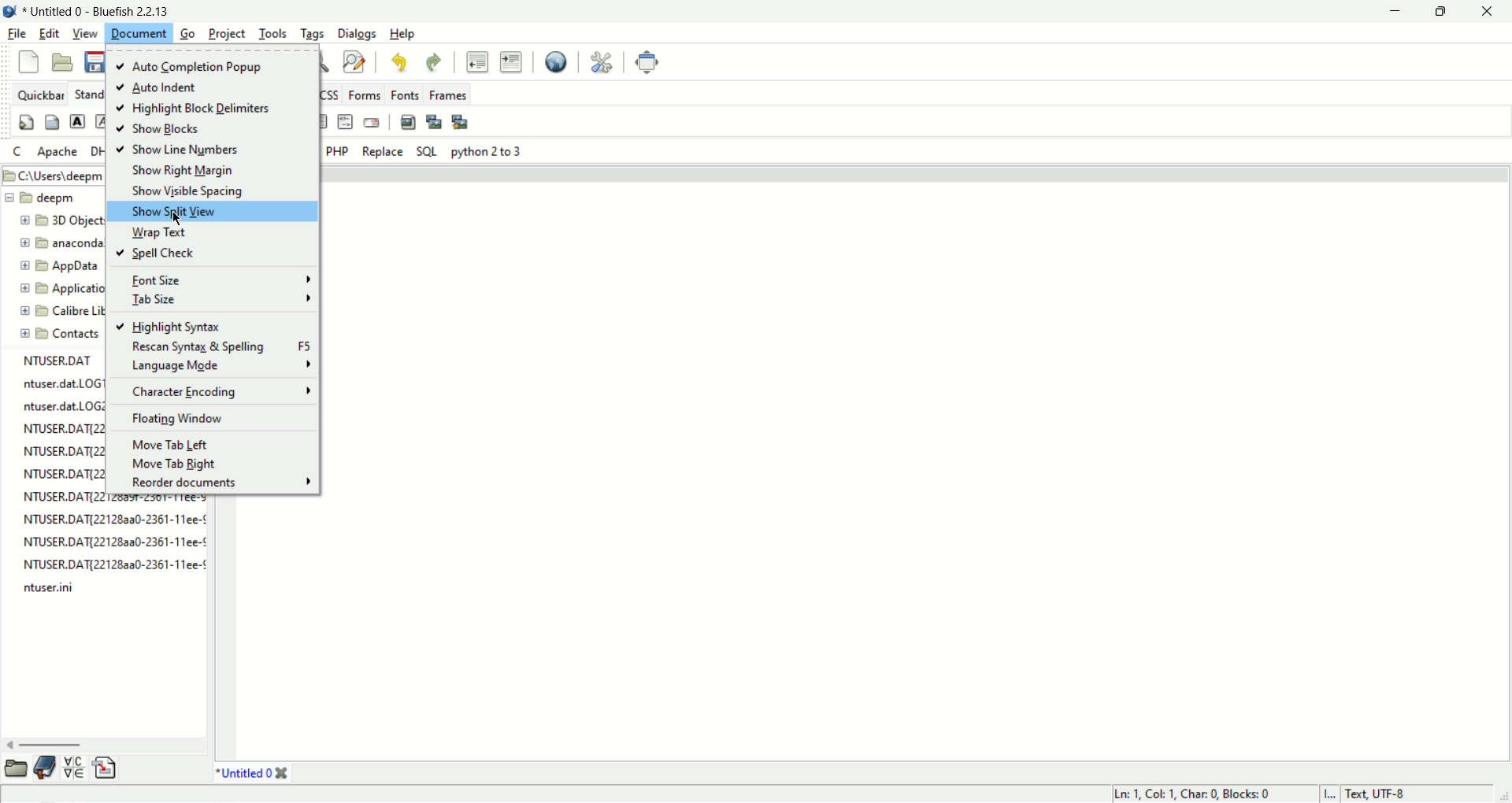 This screenshot has height=803, width=1512. Describe the element at coordinates (1443, 13) in the screenshot. I see `maxmize` at that location.